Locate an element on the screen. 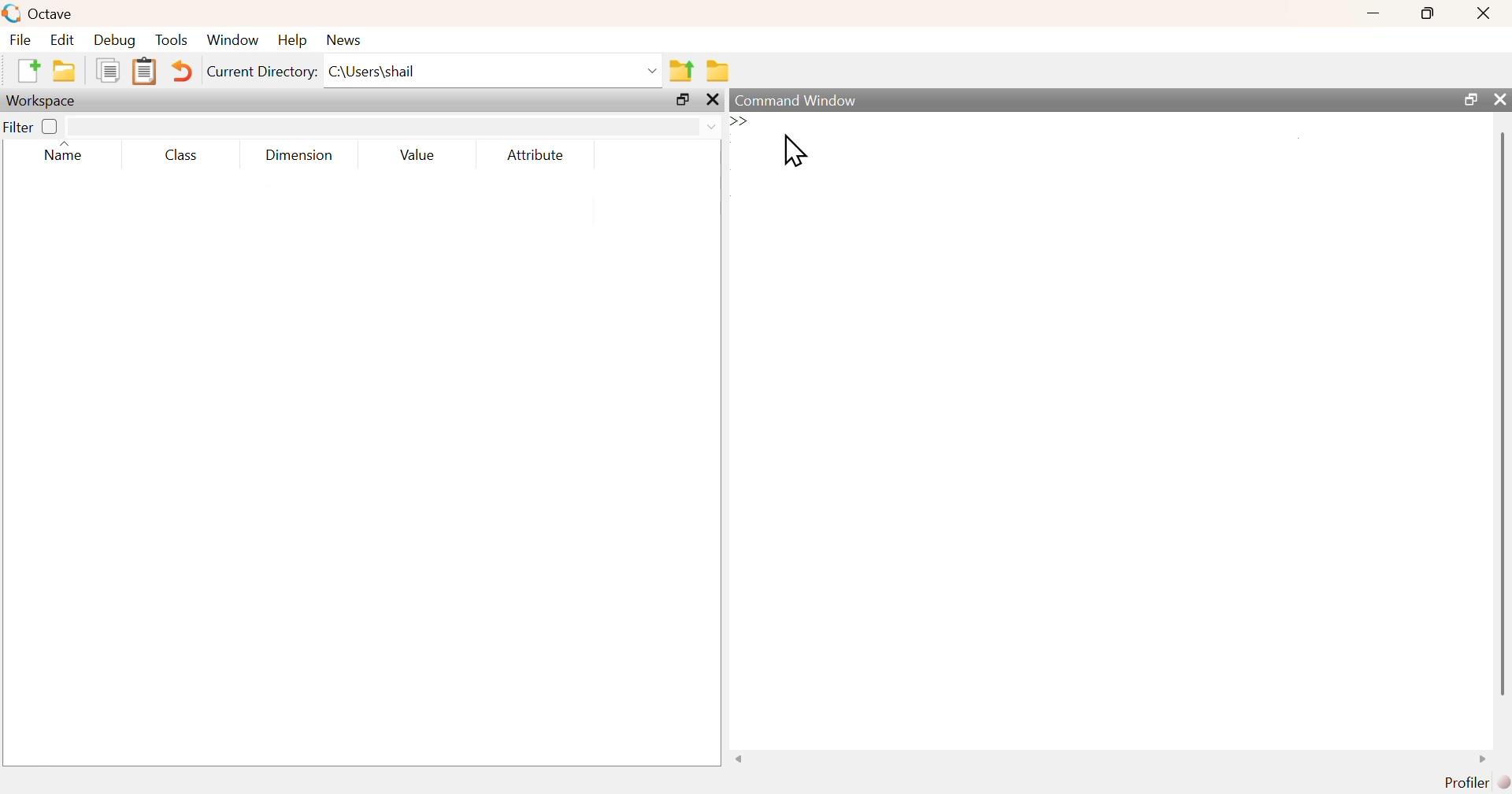 The image size is (1512, 794). Previous Folder is located at coordinates (681, 70).